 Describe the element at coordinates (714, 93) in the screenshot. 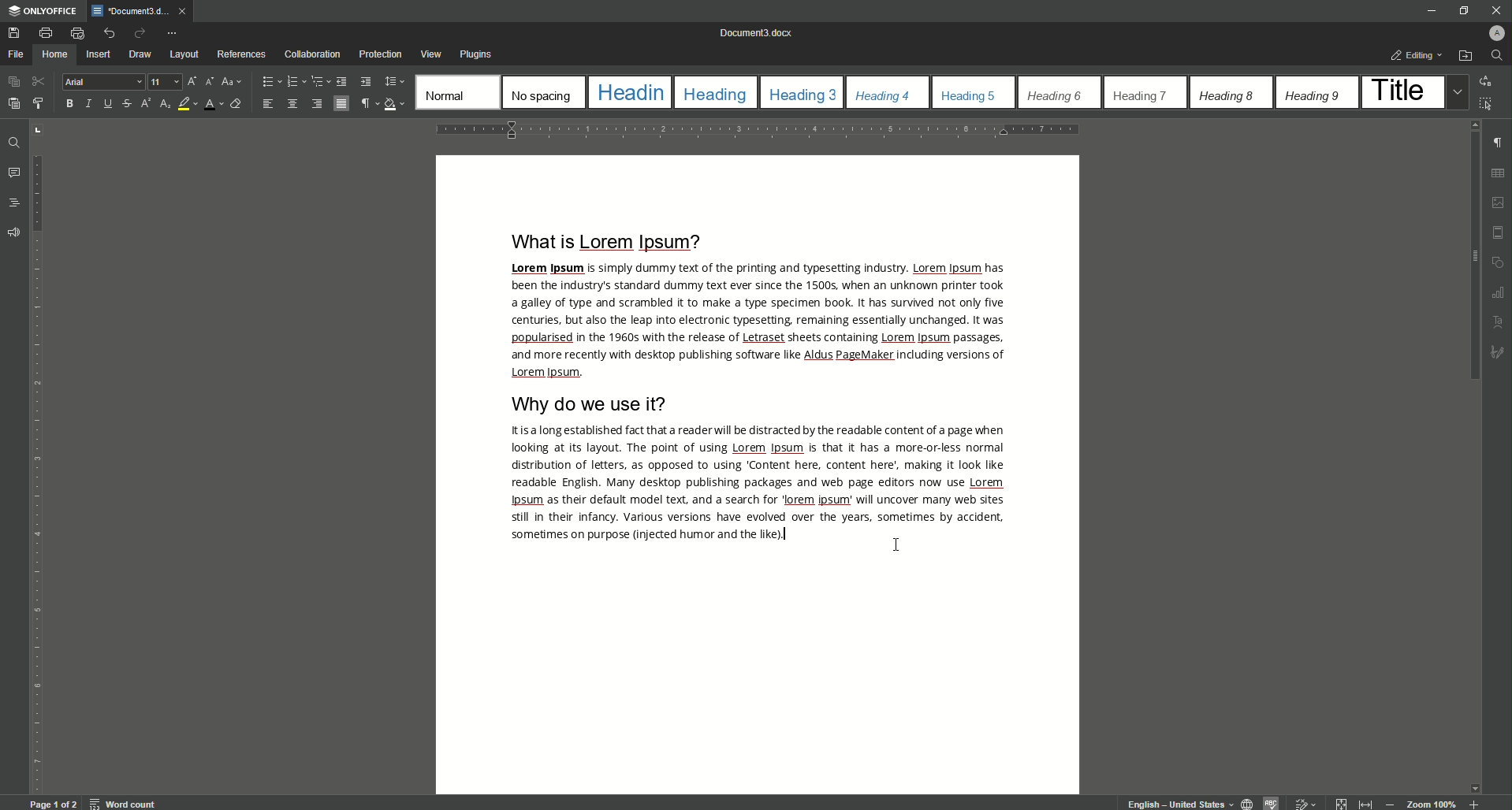

I see `Heading` at that location.